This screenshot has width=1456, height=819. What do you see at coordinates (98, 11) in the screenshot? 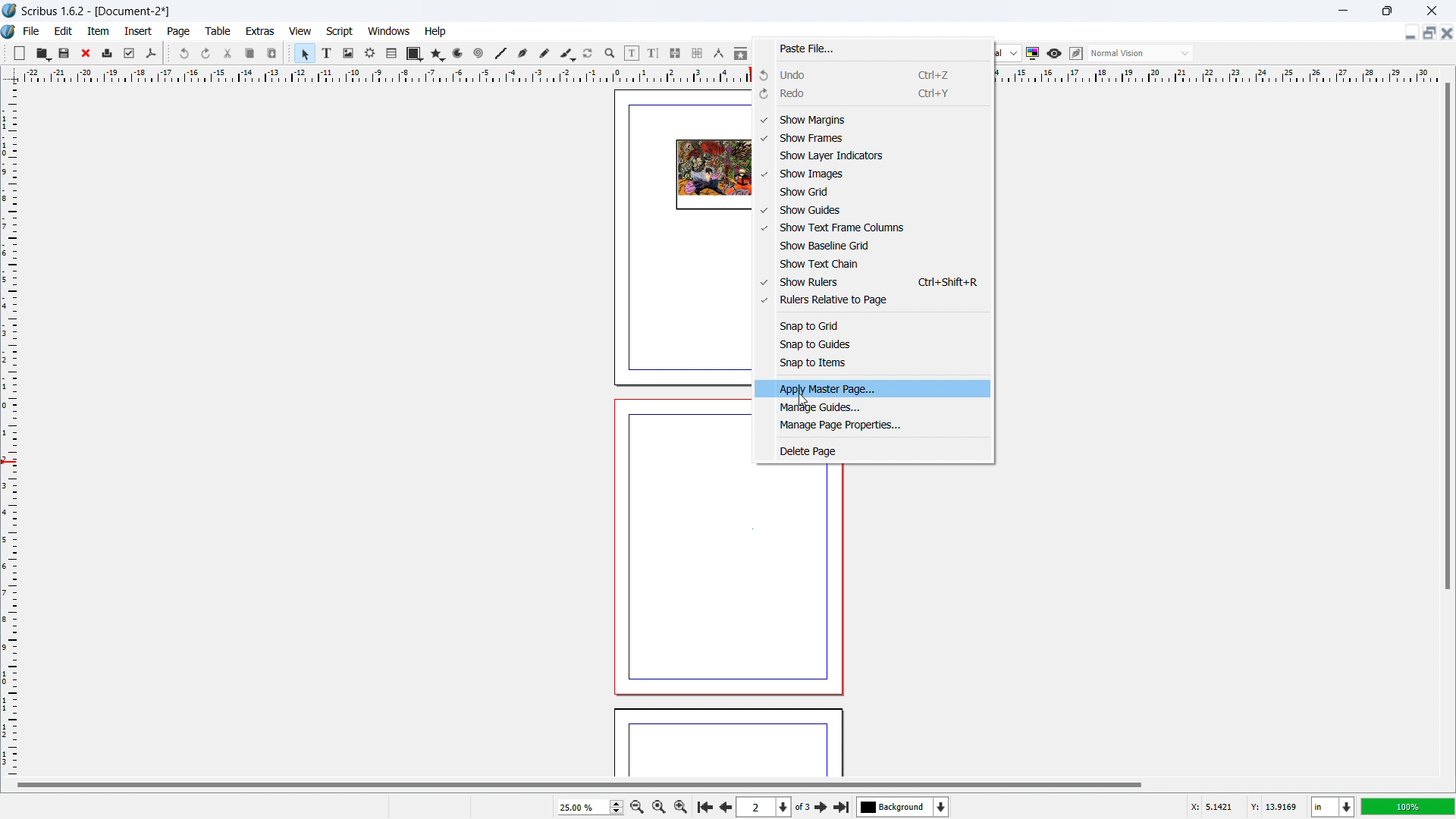
I see `Scribus 1.6.2- [Document-2]` at bounding box center [98, 11].